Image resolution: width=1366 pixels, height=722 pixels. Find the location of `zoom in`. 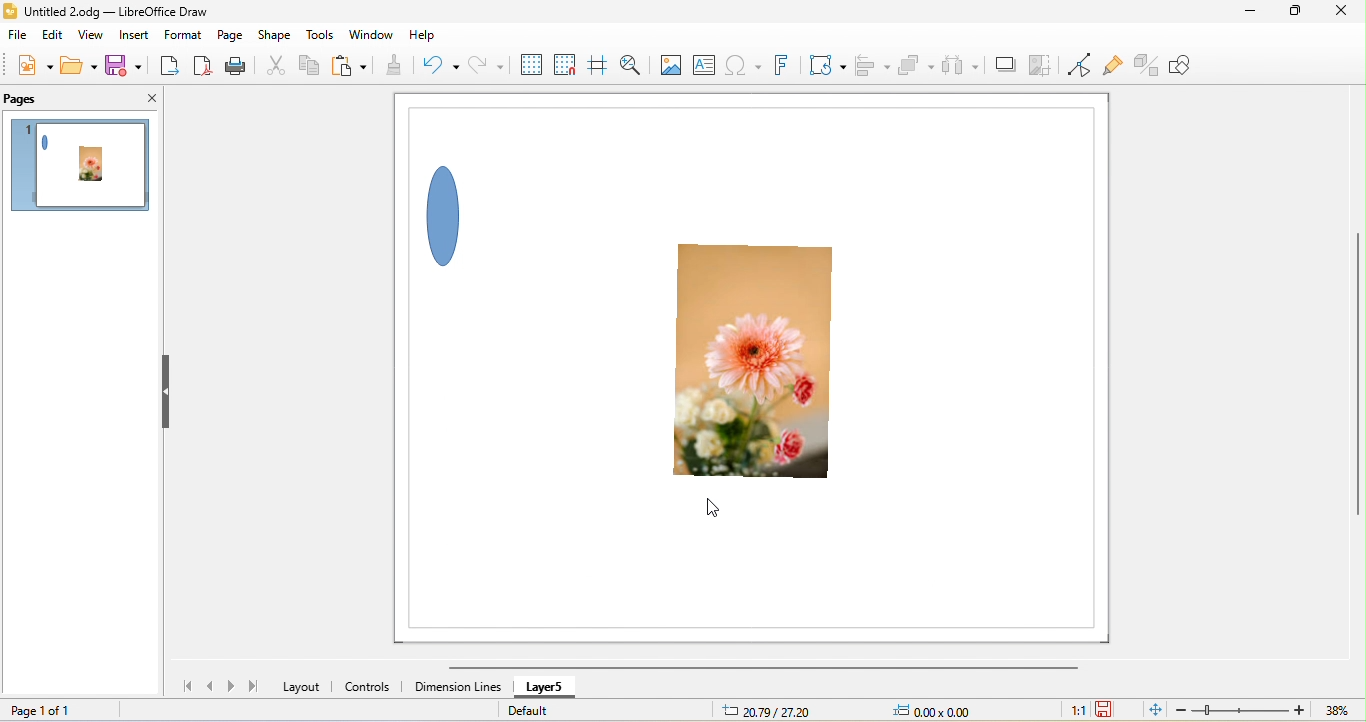

zoom in is located at coordinates (1300, 709).